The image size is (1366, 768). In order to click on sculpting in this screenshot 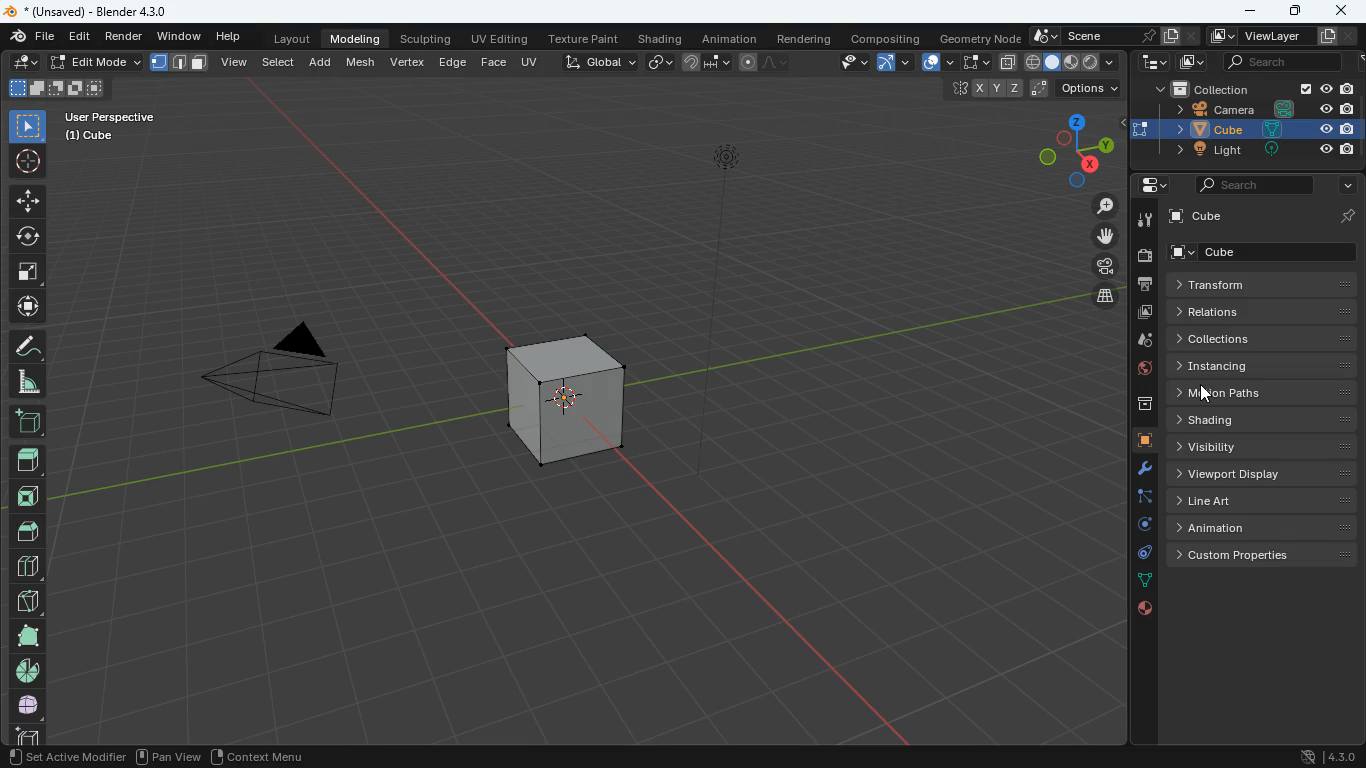, I will do `click(424, 37)`.